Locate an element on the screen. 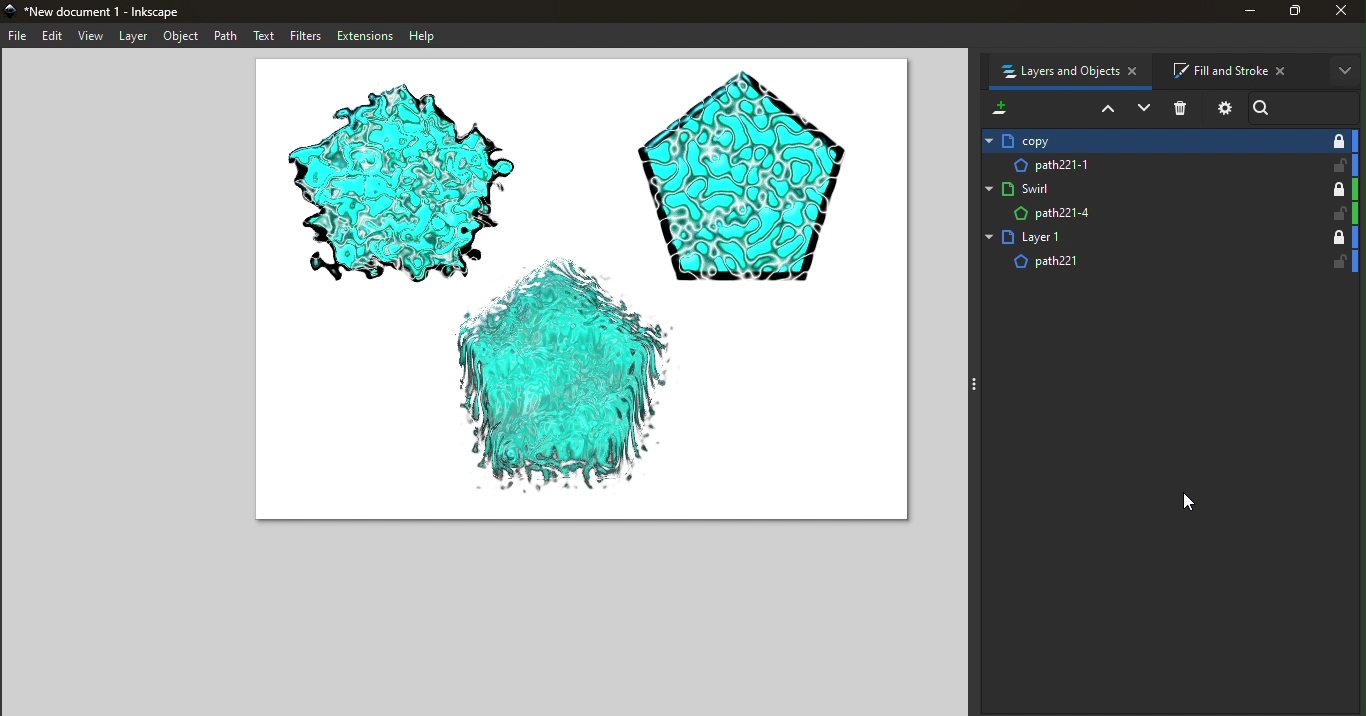 This screenshot has height=716, width=1366. Edit is located at coordinates (56, 37).